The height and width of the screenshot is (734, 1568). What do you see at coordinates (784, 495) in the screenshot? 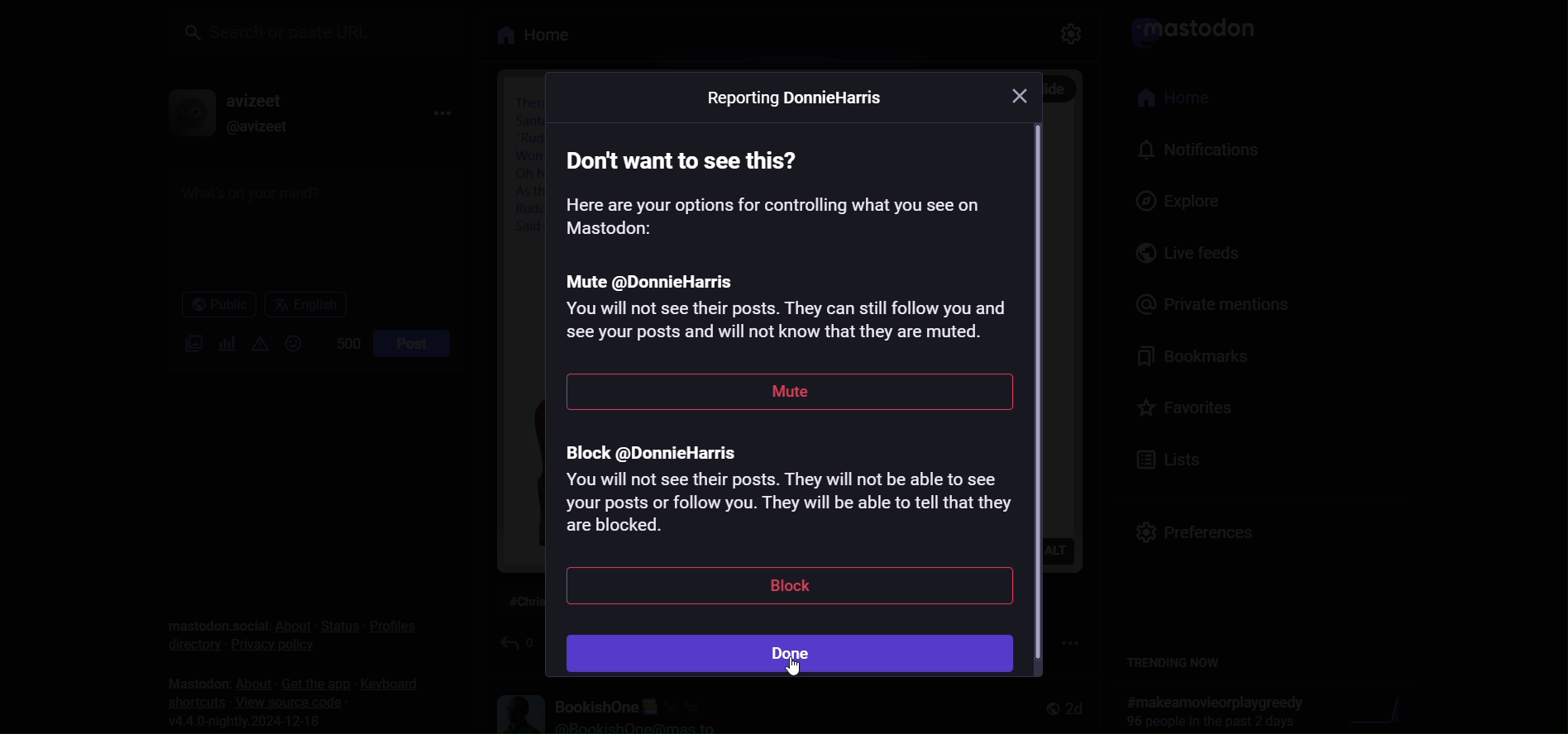
I see `Block @DonnieHarris

You will not see their posts. They will not be able to see
your posts or follow you. They will be able to tell that they
are blocked.` at bounding box center [784, 495].